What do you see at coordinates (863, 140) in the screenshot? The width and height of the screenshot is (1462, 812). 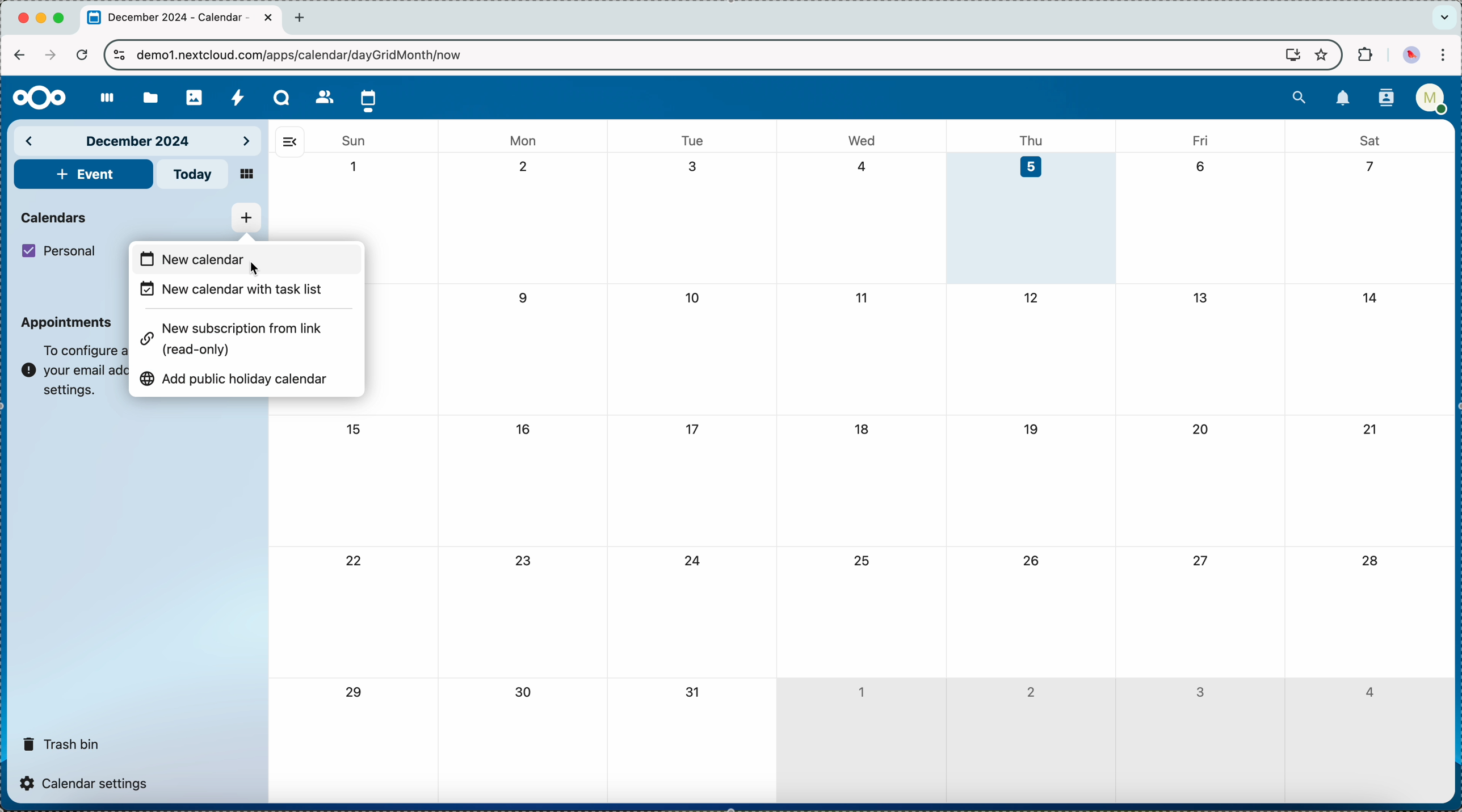 I see `wed` at bounding box center [863, 140].